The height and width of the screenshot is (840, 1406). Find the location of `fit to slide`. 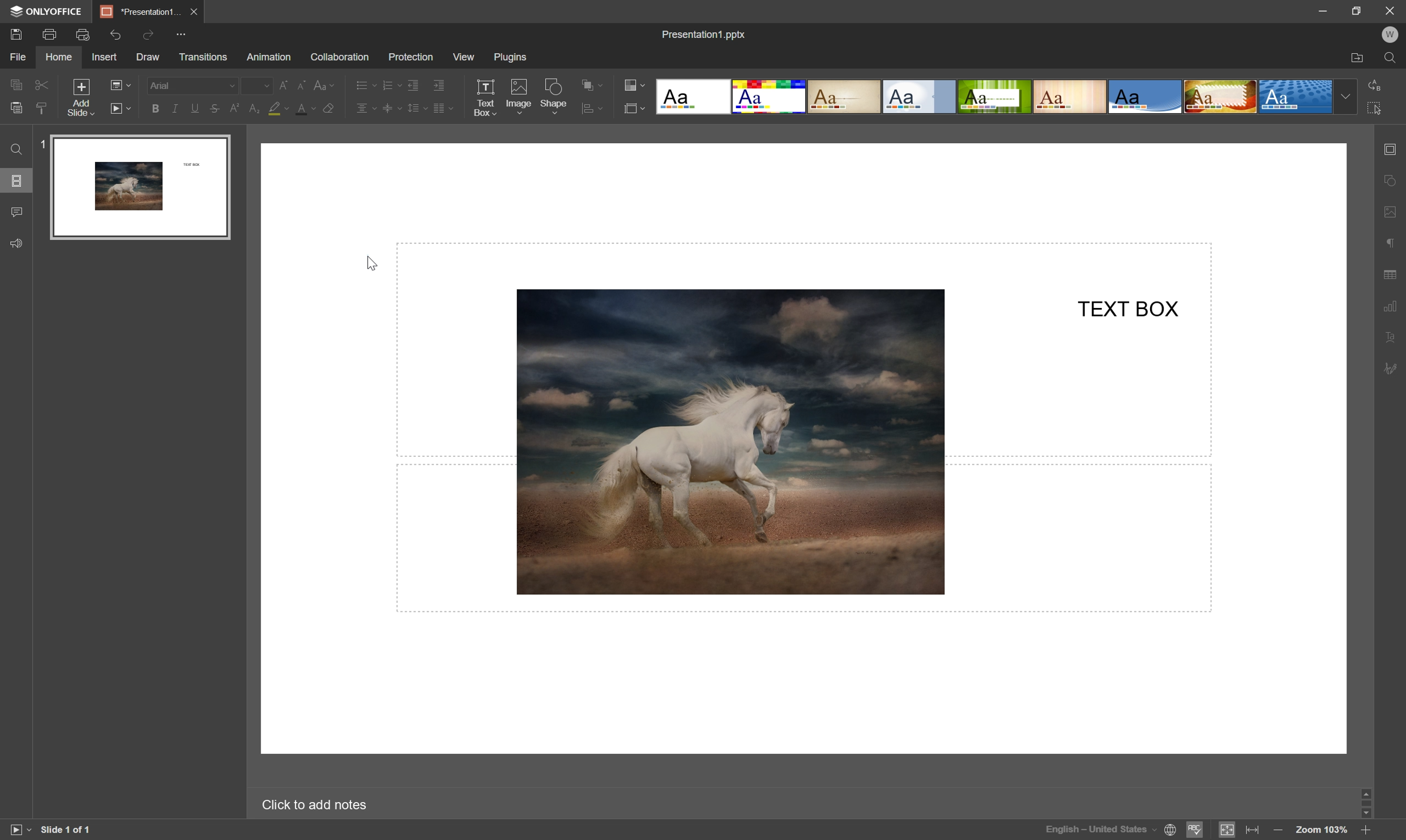

fit to slide is located at coordinates (1226, 831).